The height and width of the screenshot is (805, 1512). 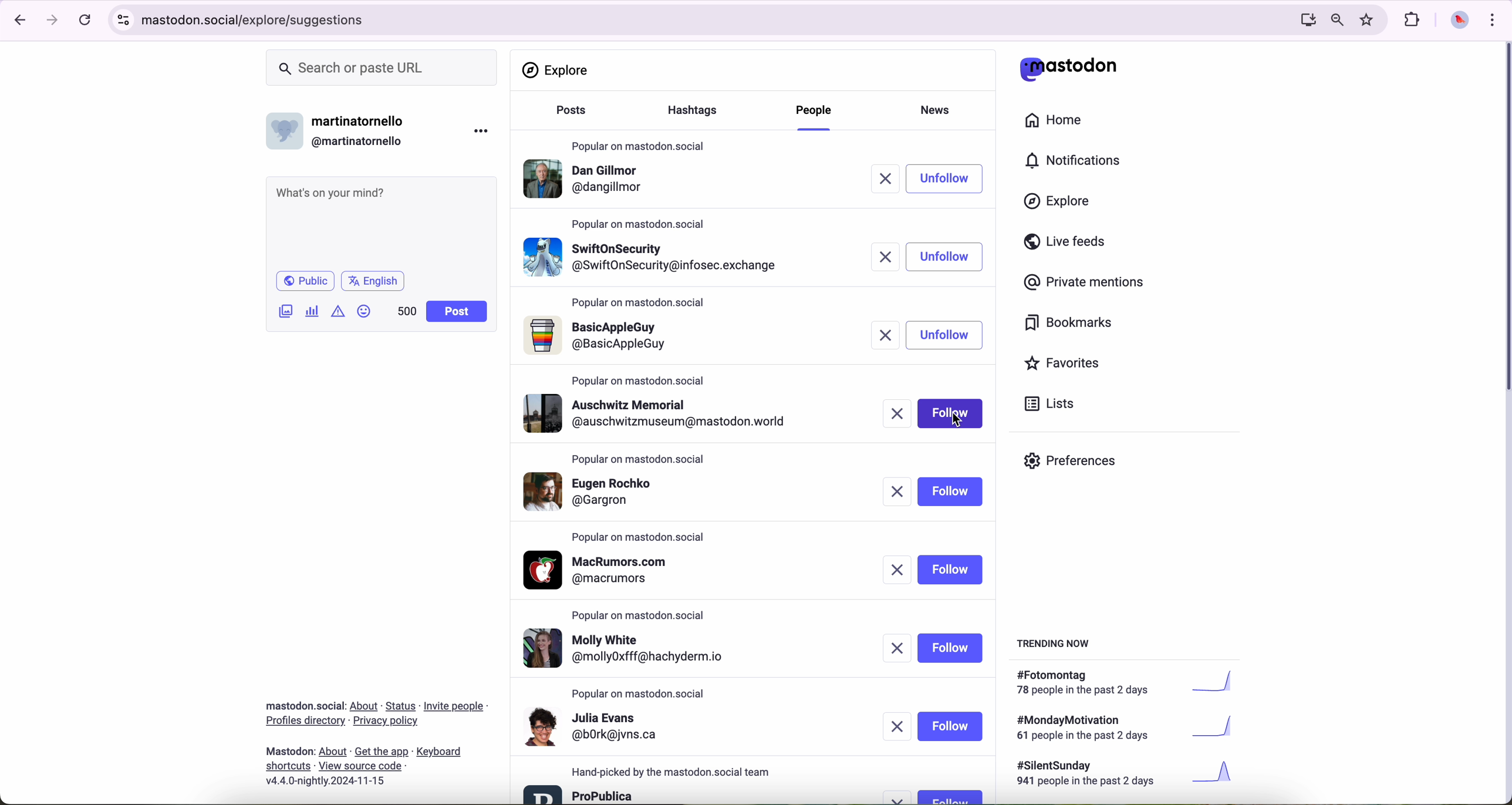 What do you see at coordinates (1133, 683) in the screenshot?
I see `#fotomontag` at bounding box center [1133, 683].